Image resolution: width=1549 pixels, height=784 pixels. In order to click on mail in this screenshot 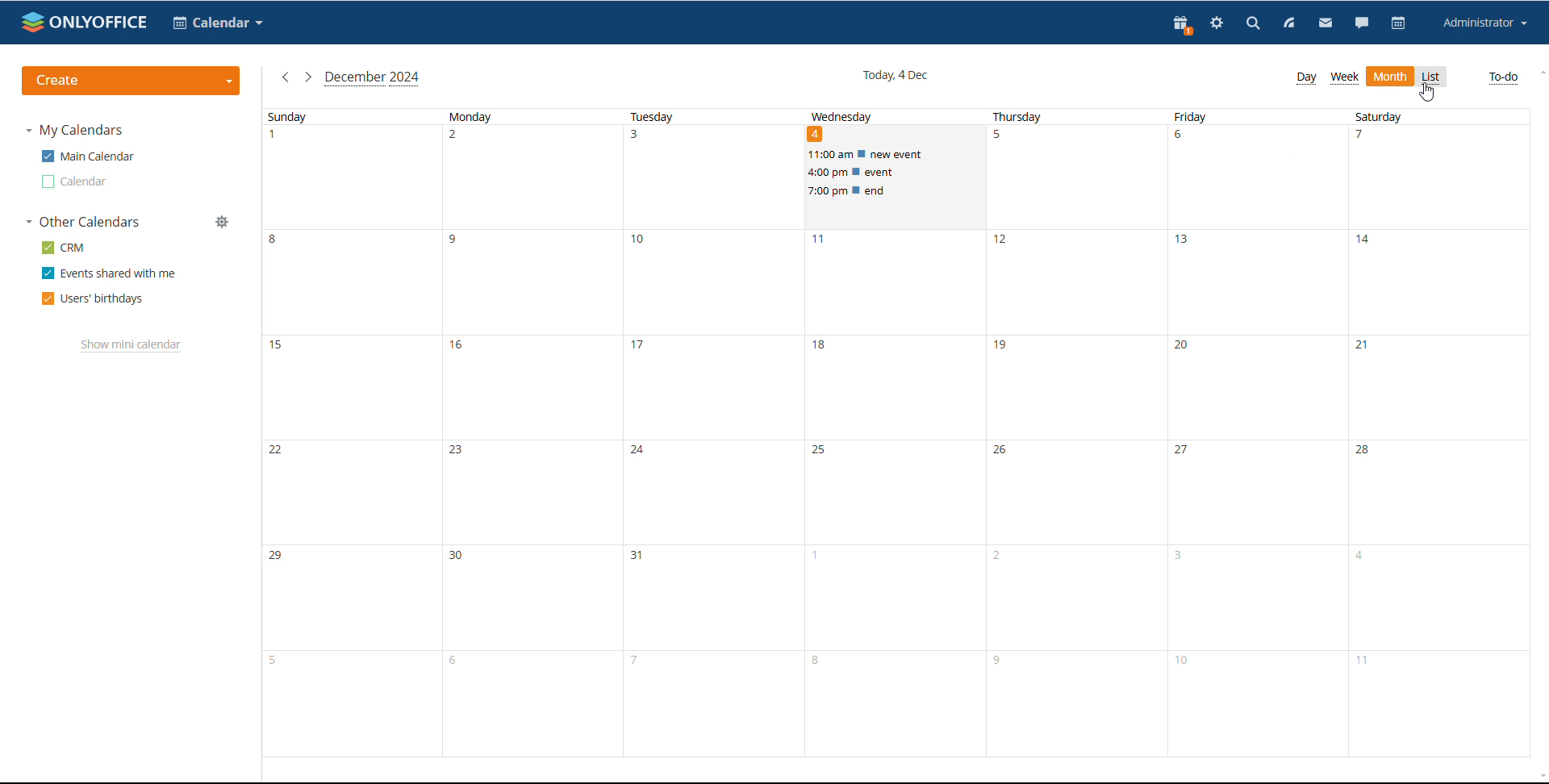, I will do `click(1323, 24)`.